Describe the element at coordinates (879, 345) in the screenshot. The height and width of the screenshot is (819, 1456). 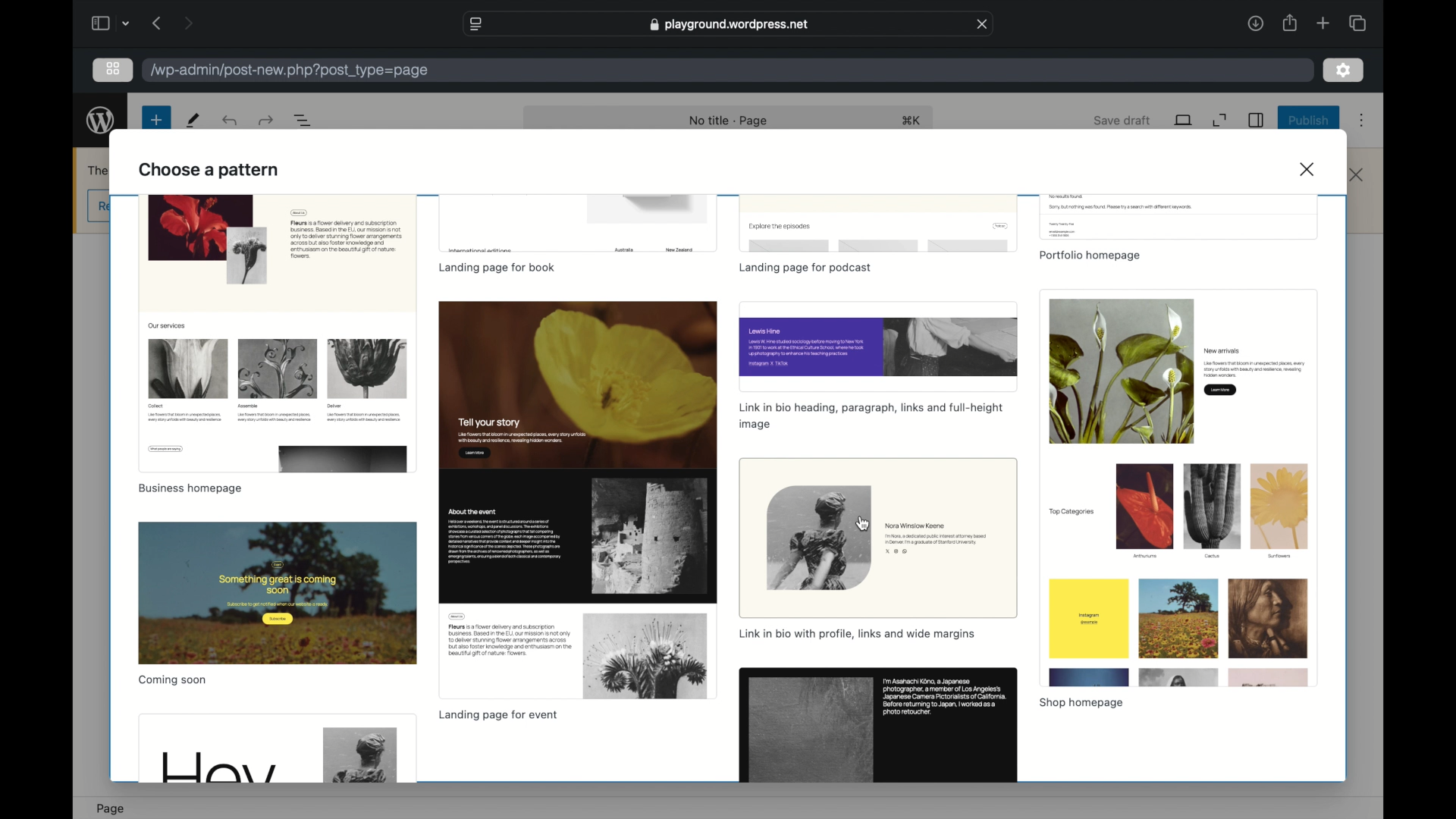
I see `preview` at that location.